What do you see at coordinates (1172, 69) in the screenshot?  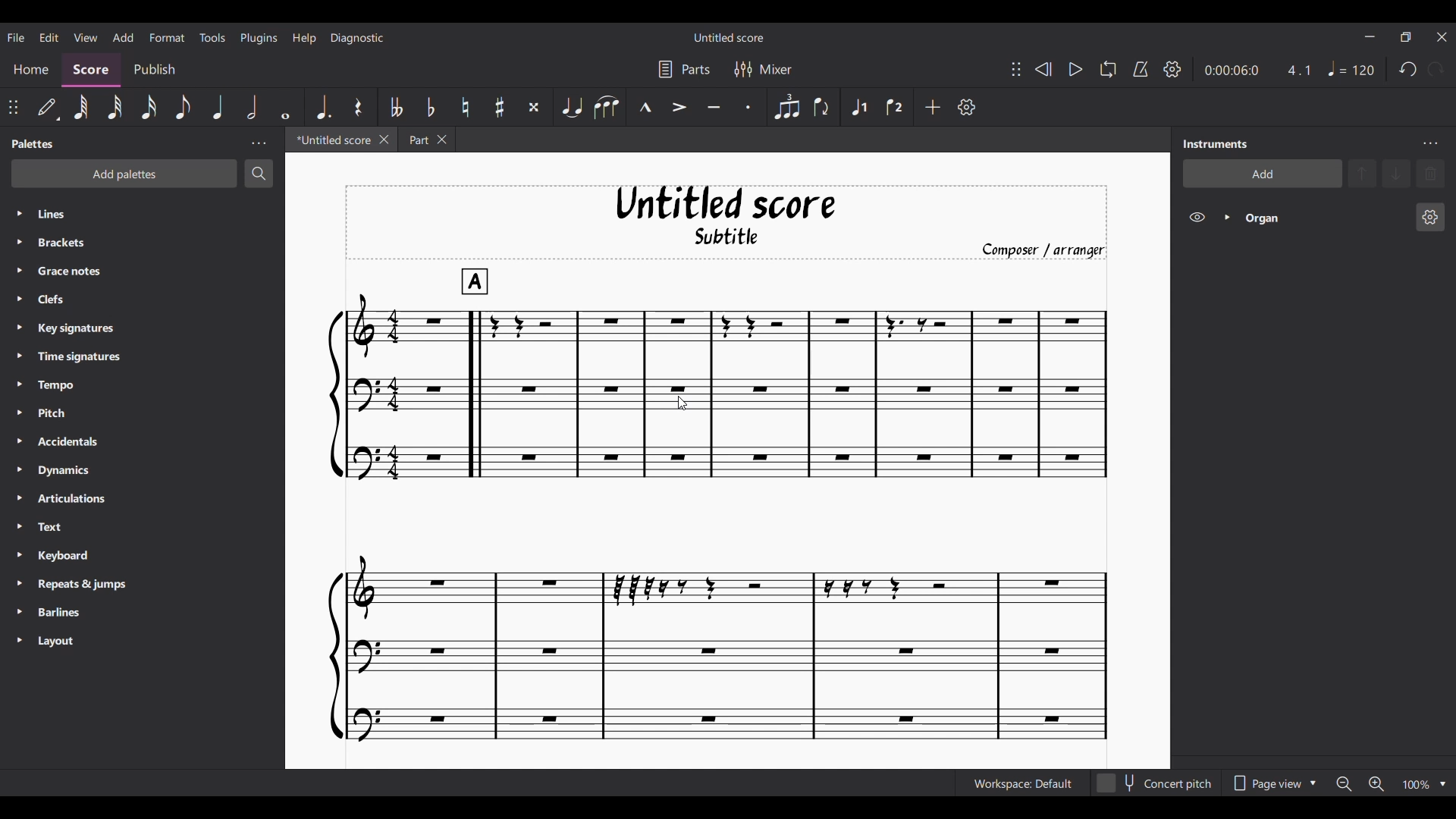 I see `Playback settings` at bounding box center [1172, 69].